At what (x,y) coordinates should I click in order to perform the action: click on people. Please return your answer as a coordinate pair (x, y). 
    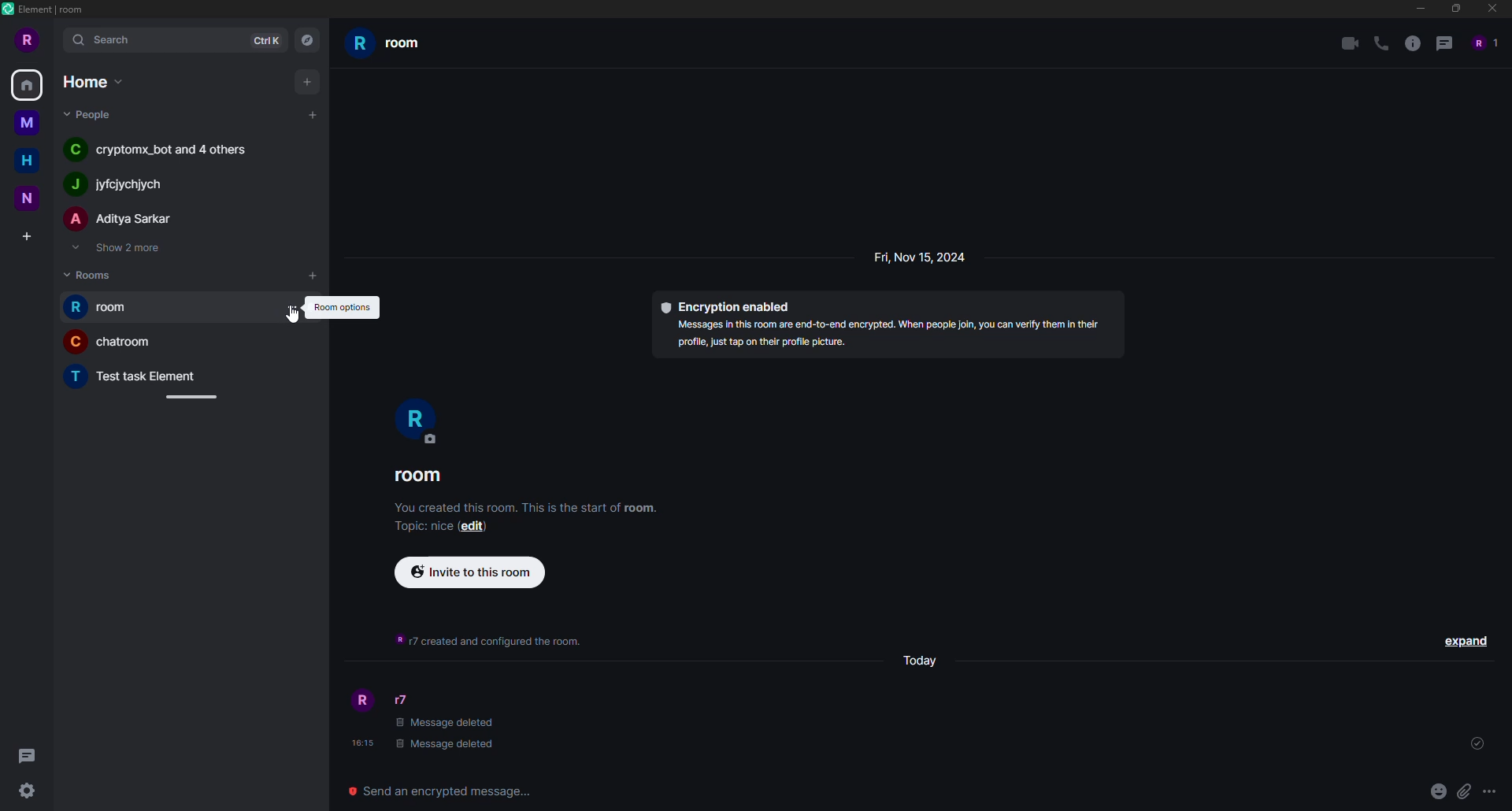
    Looking at the image, I should click on (1484, 43).